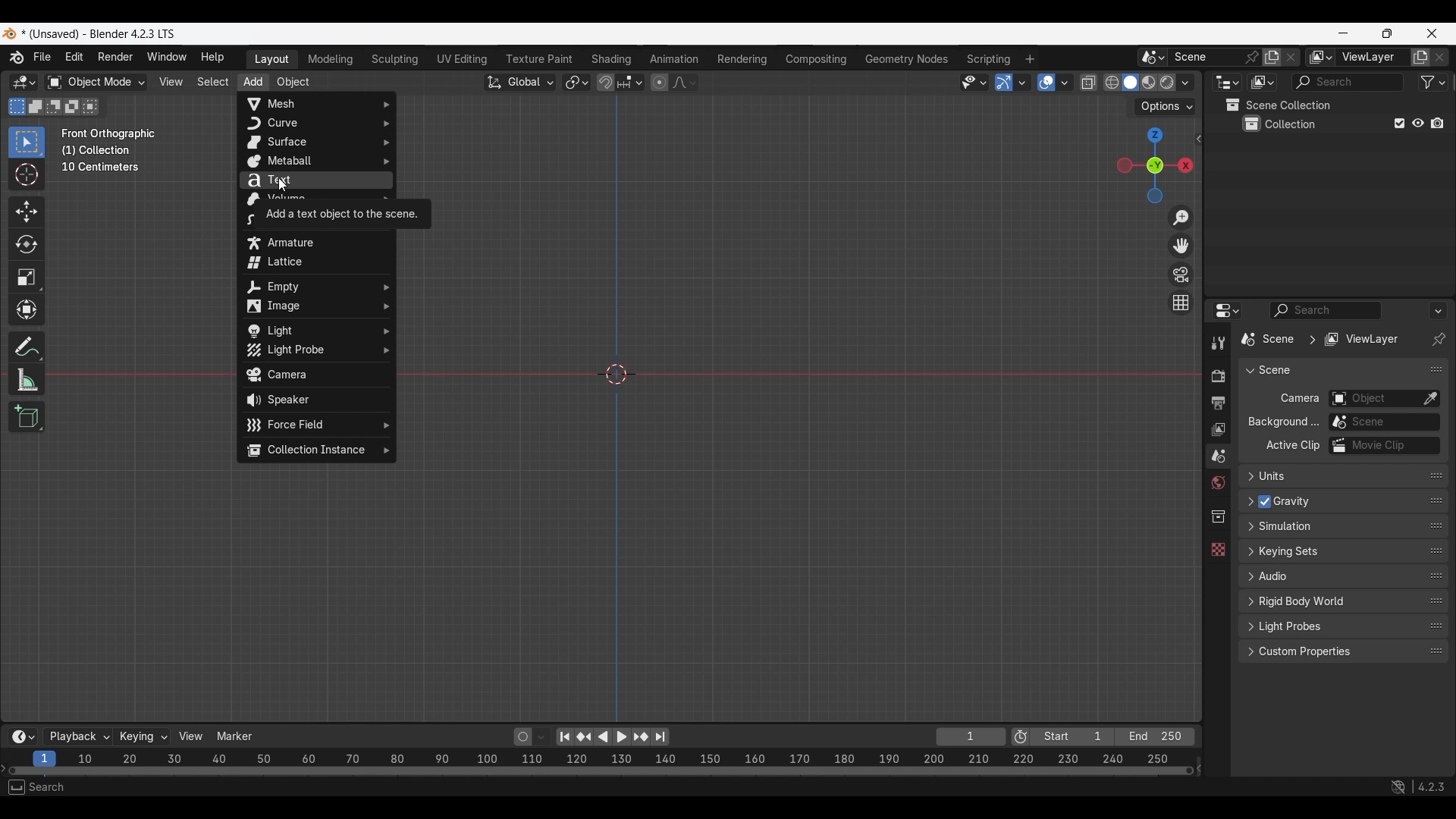 The image size is (1456, 819). What do you see at coordinates (1333, 601) in the screenshot?
I see `Click to expand Rigid body world` at bounding box center [1333, 601].